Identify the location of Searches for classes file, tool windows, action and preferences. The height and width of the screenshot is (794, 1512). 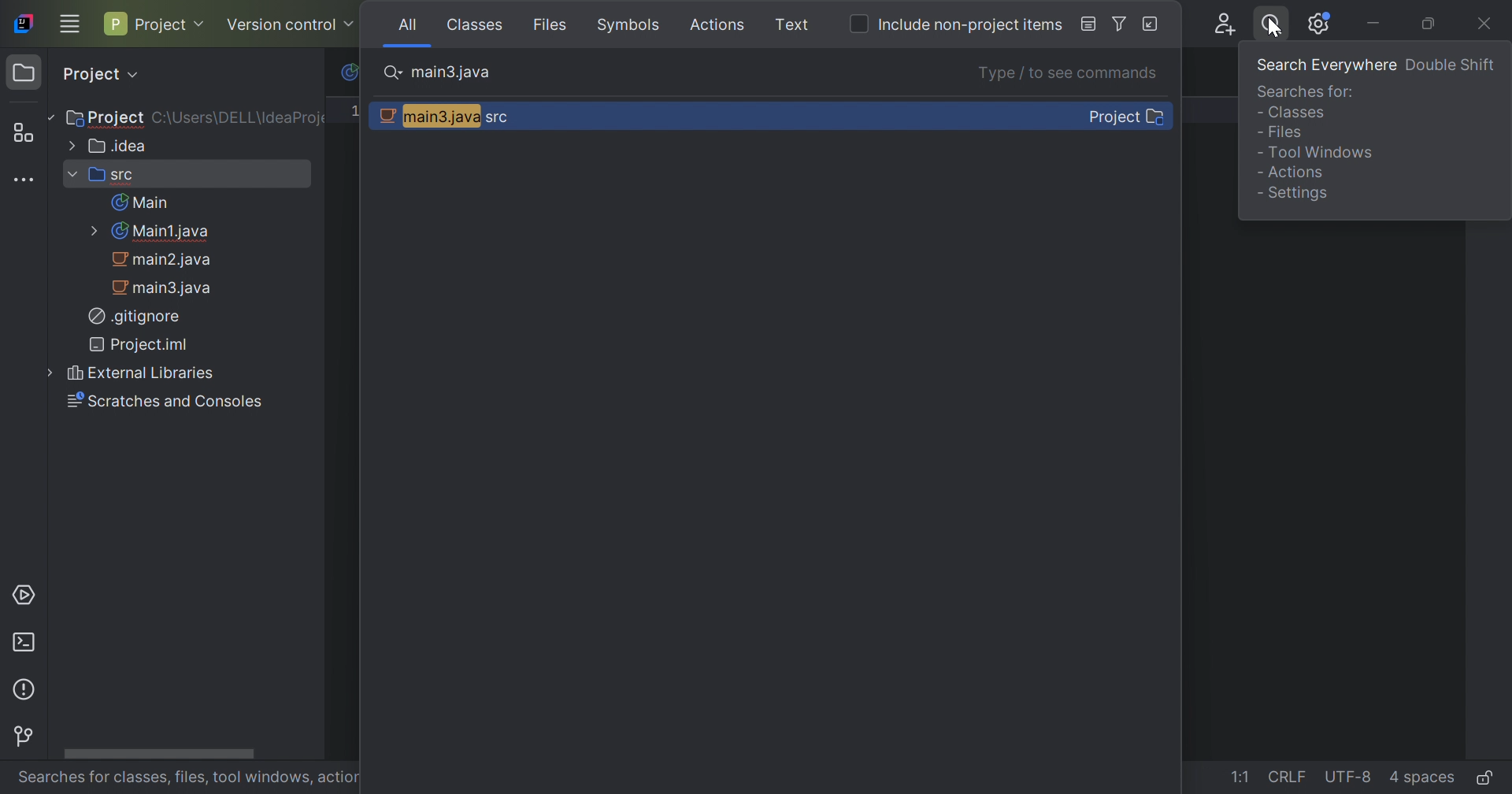
(189, 780).